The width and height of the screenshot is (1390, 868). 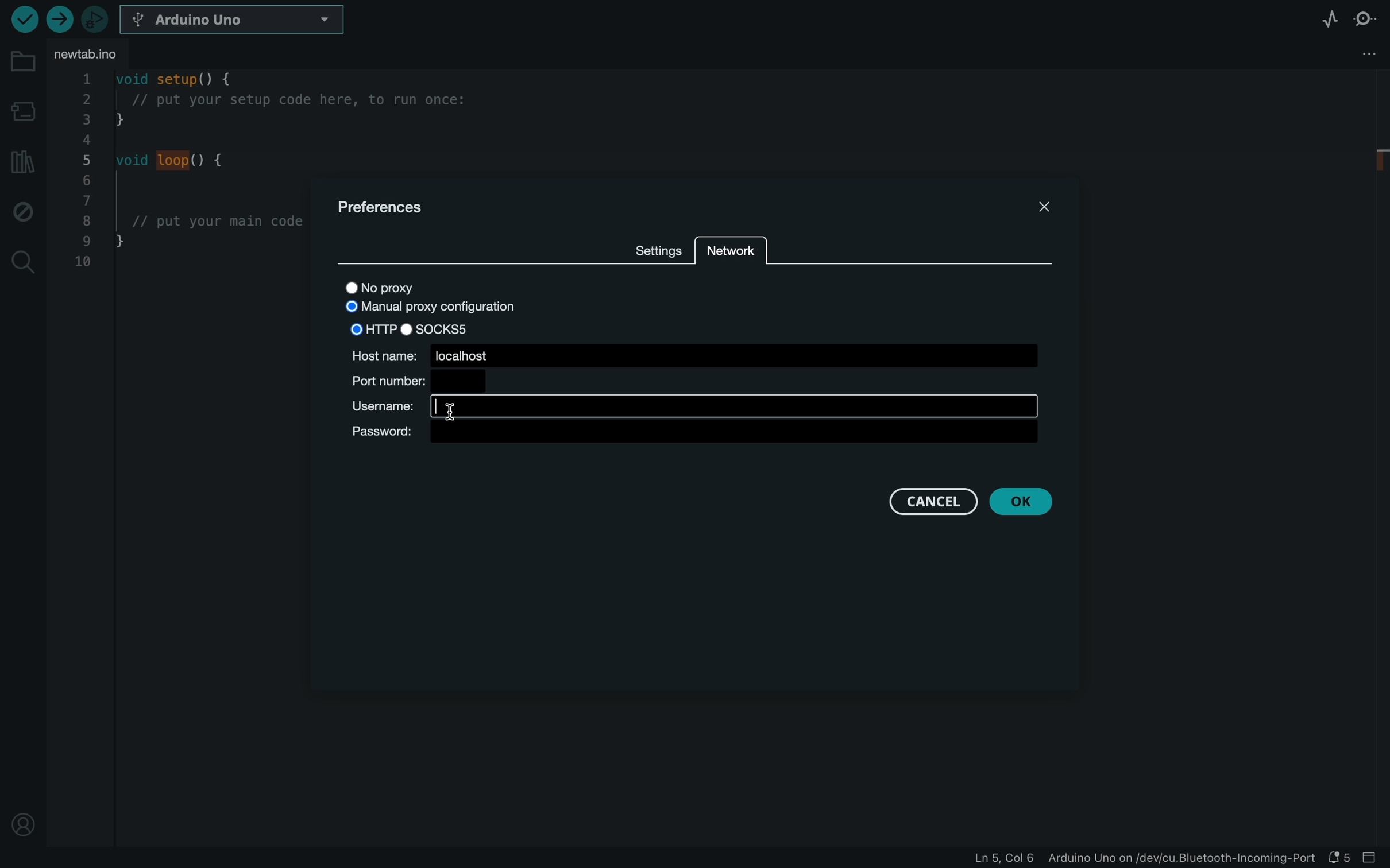 What do you see at coordinates (1330, 19) in the screenshot?
I see `serial plotter` at bounding box center [1330, 19].